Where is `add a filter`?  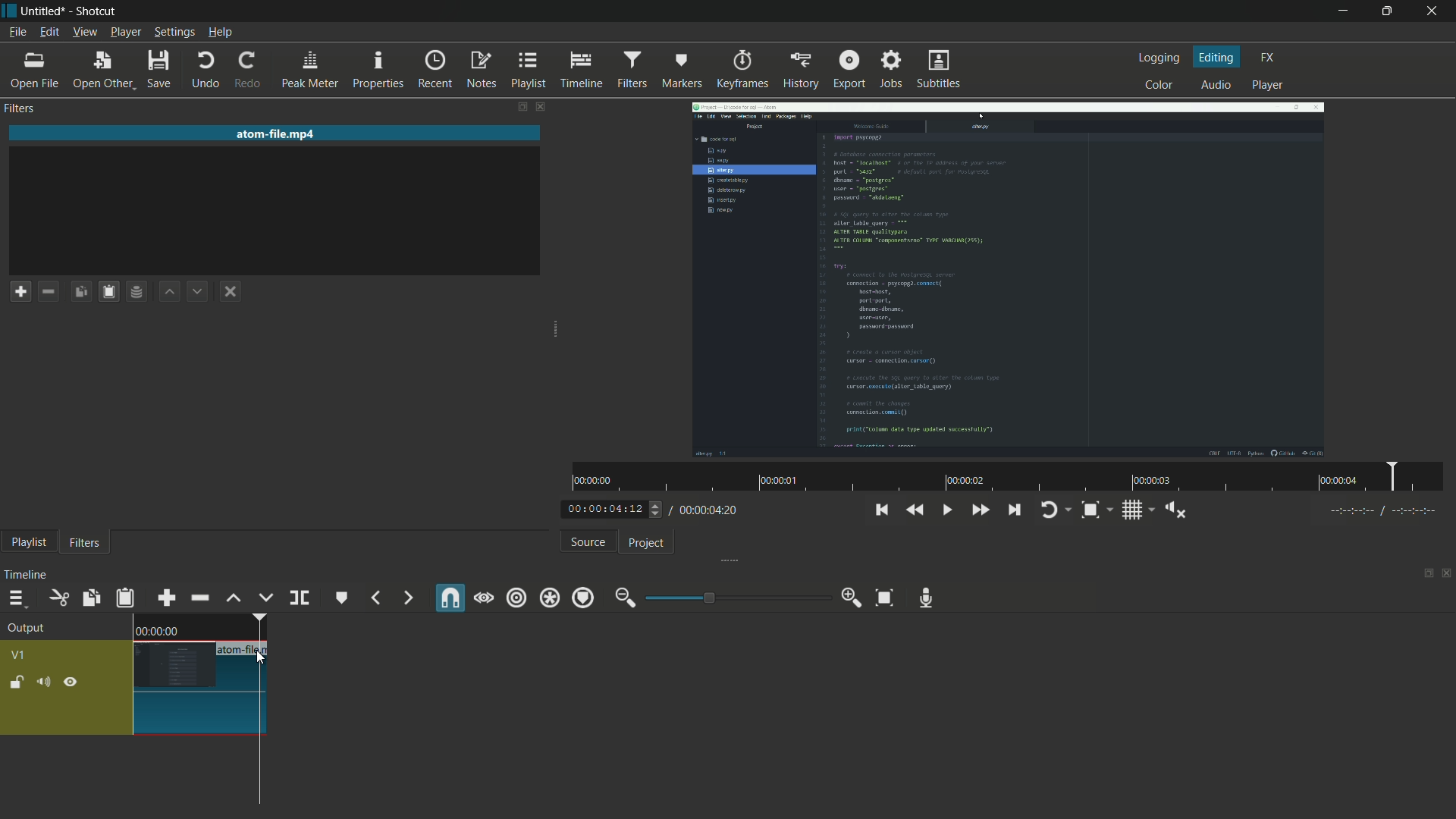
add a filter is located at coordinates (21, 292).